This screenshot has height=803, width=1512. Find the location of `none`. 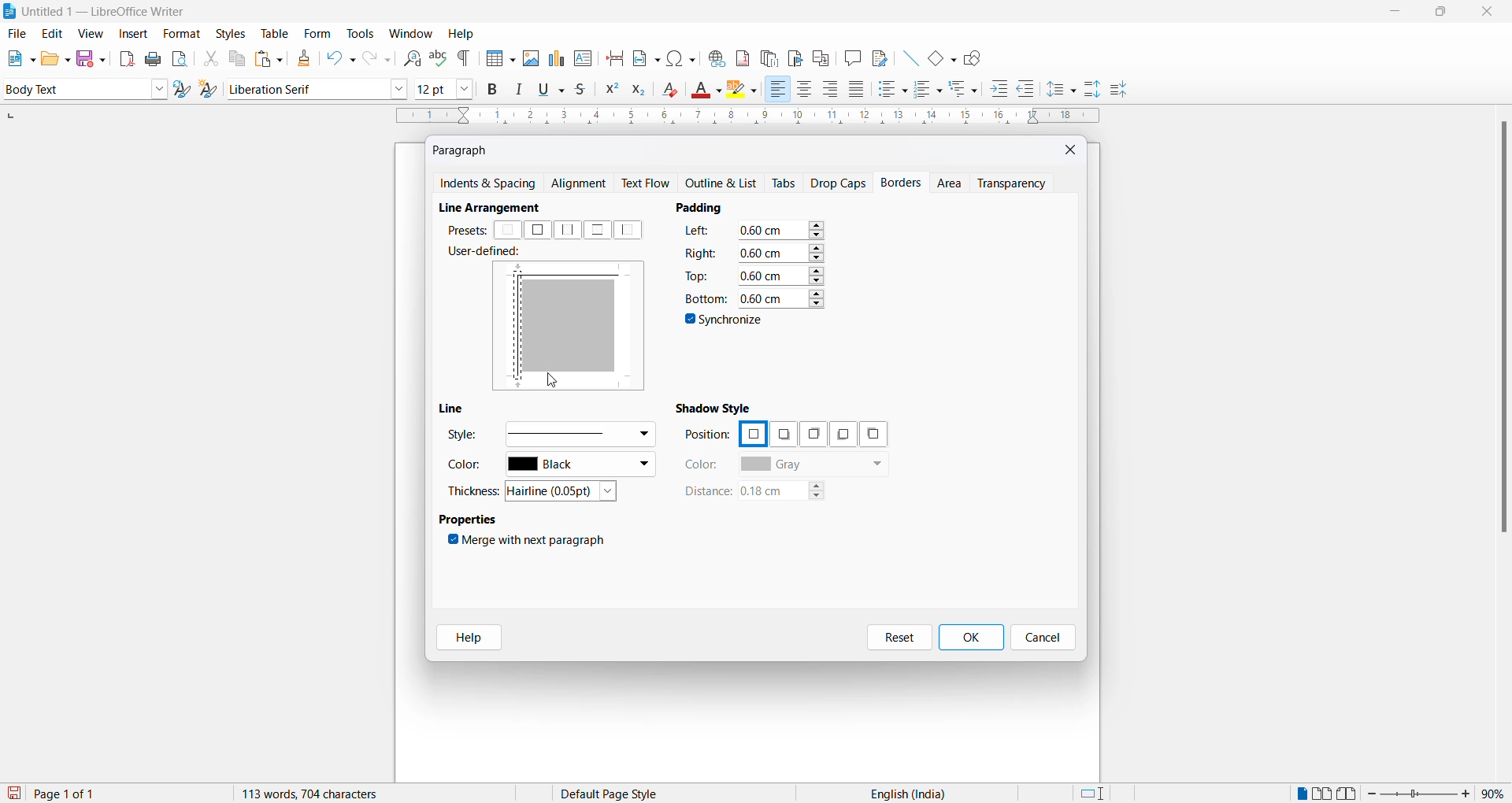

none is located at coordinates (509, 231).